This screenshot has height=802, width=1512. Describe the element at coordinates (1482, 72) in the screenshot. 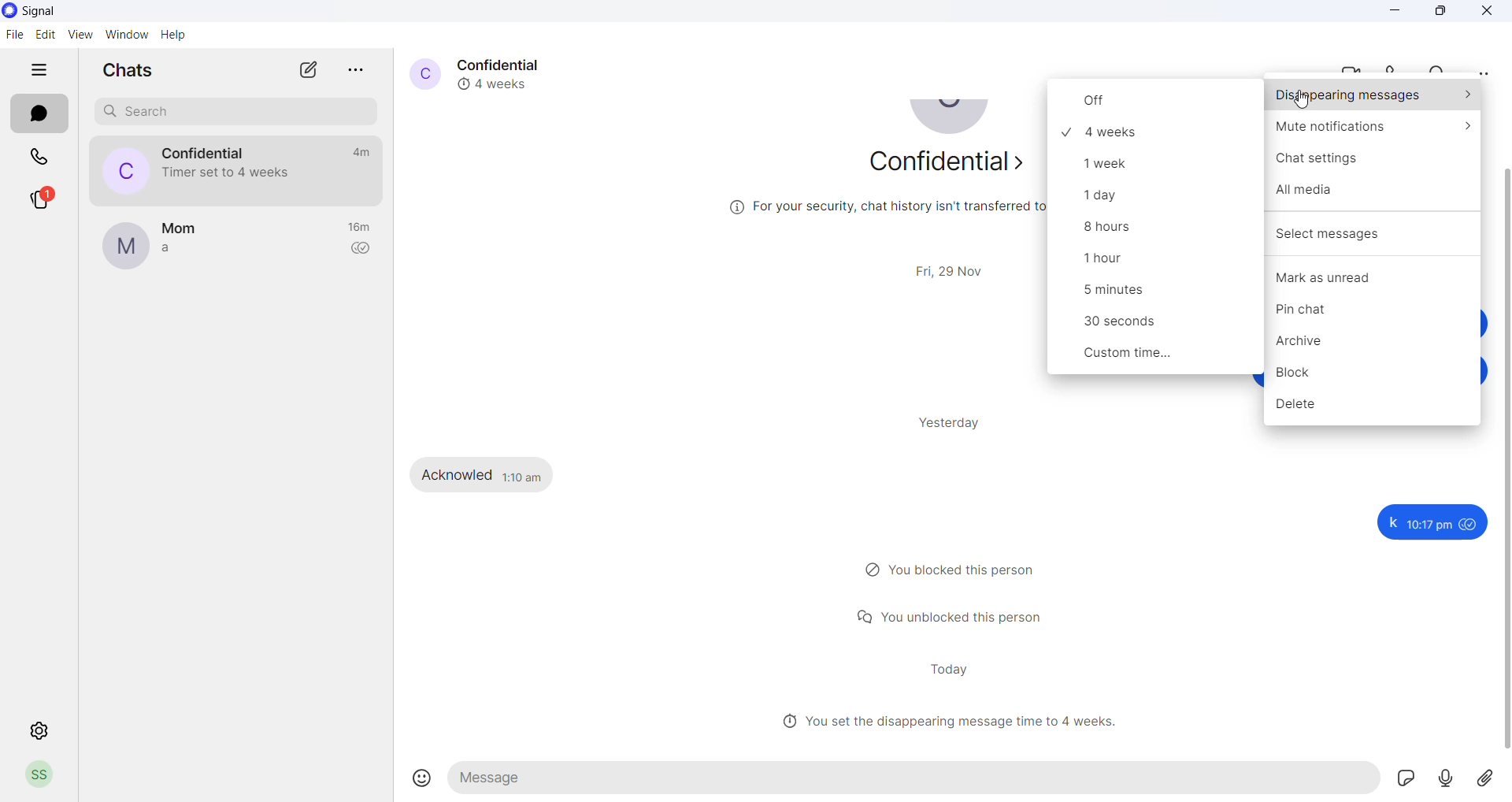

I see `more options` at that location.